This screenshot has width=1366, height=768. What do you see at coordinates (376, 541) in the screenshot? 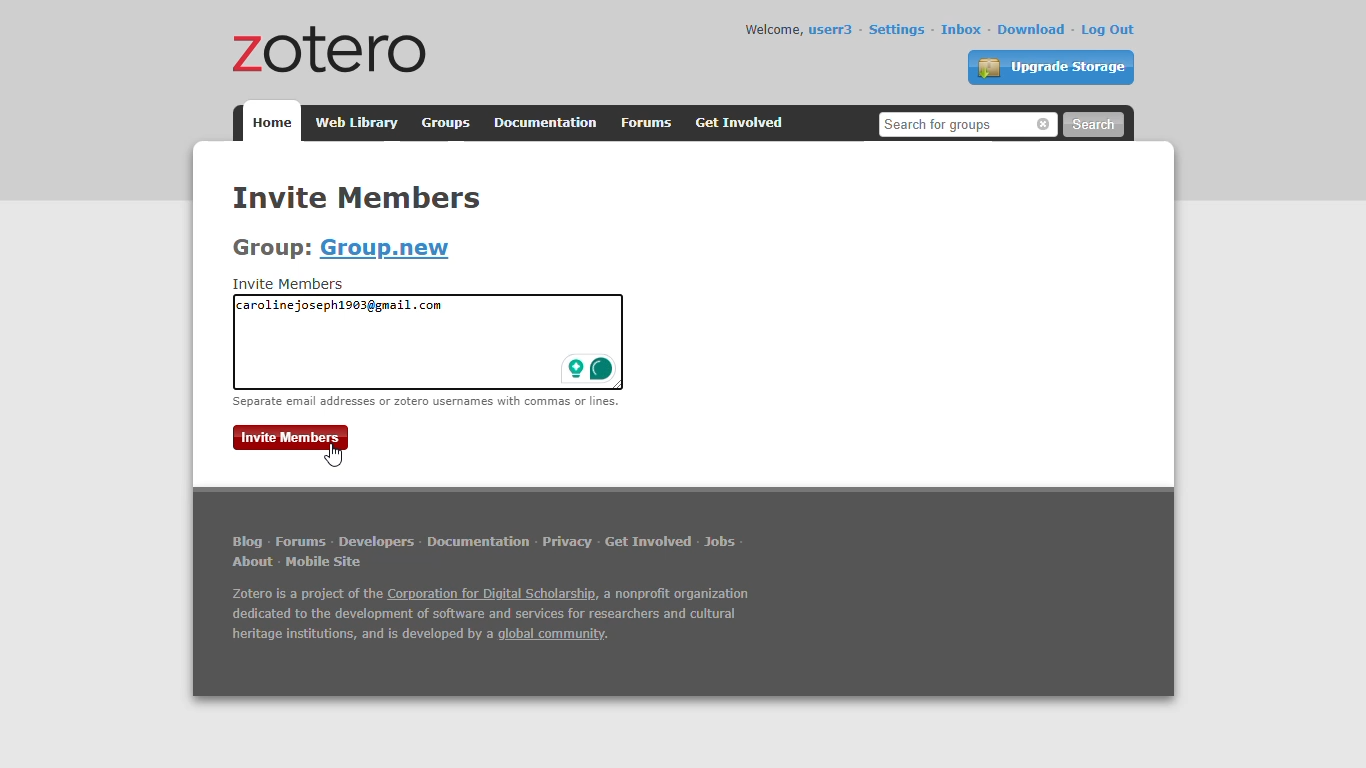
I see `developers` at bounding box center [376, 541].